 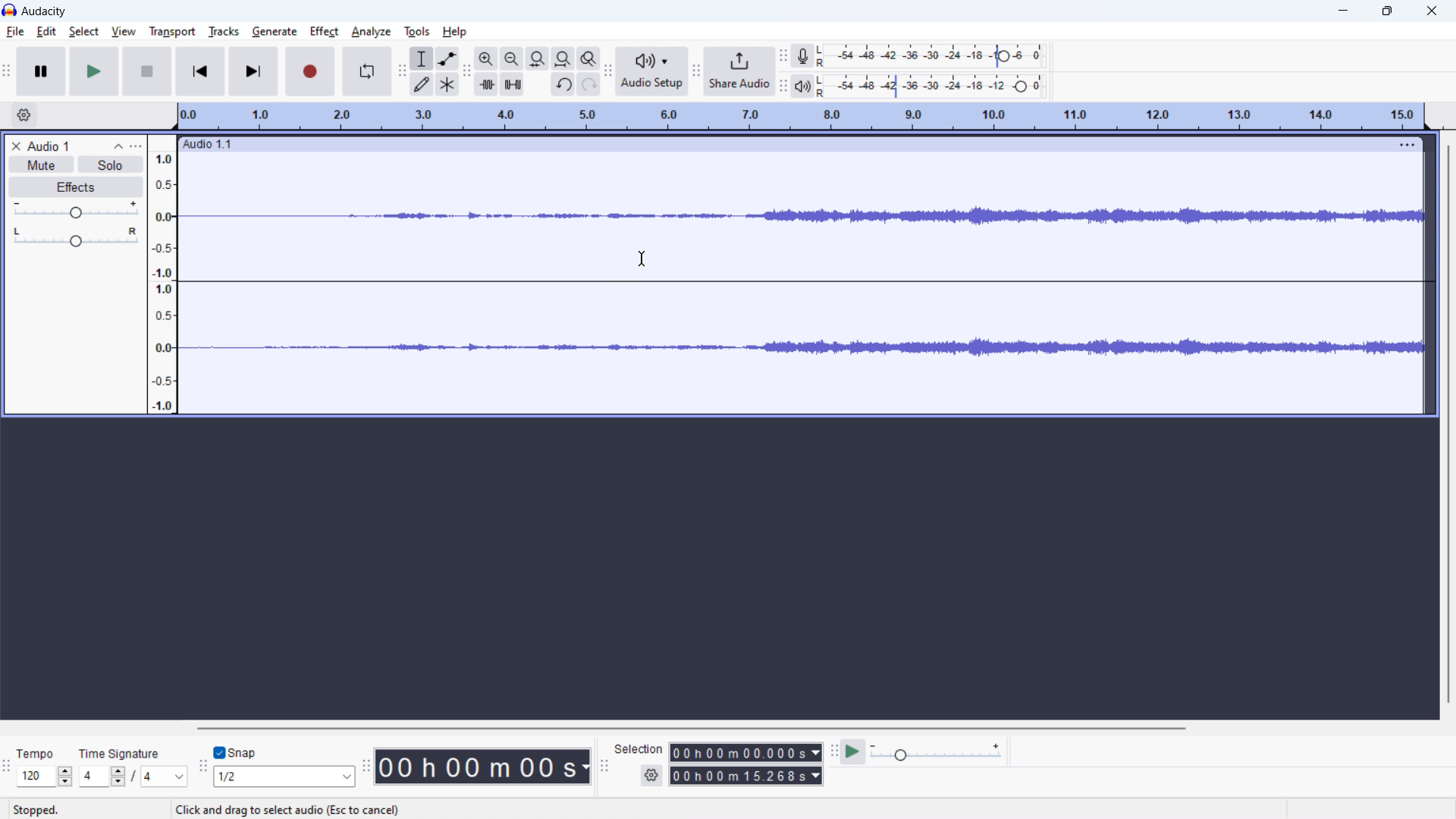 I want to click on waveform, so click(x=807, y=346).